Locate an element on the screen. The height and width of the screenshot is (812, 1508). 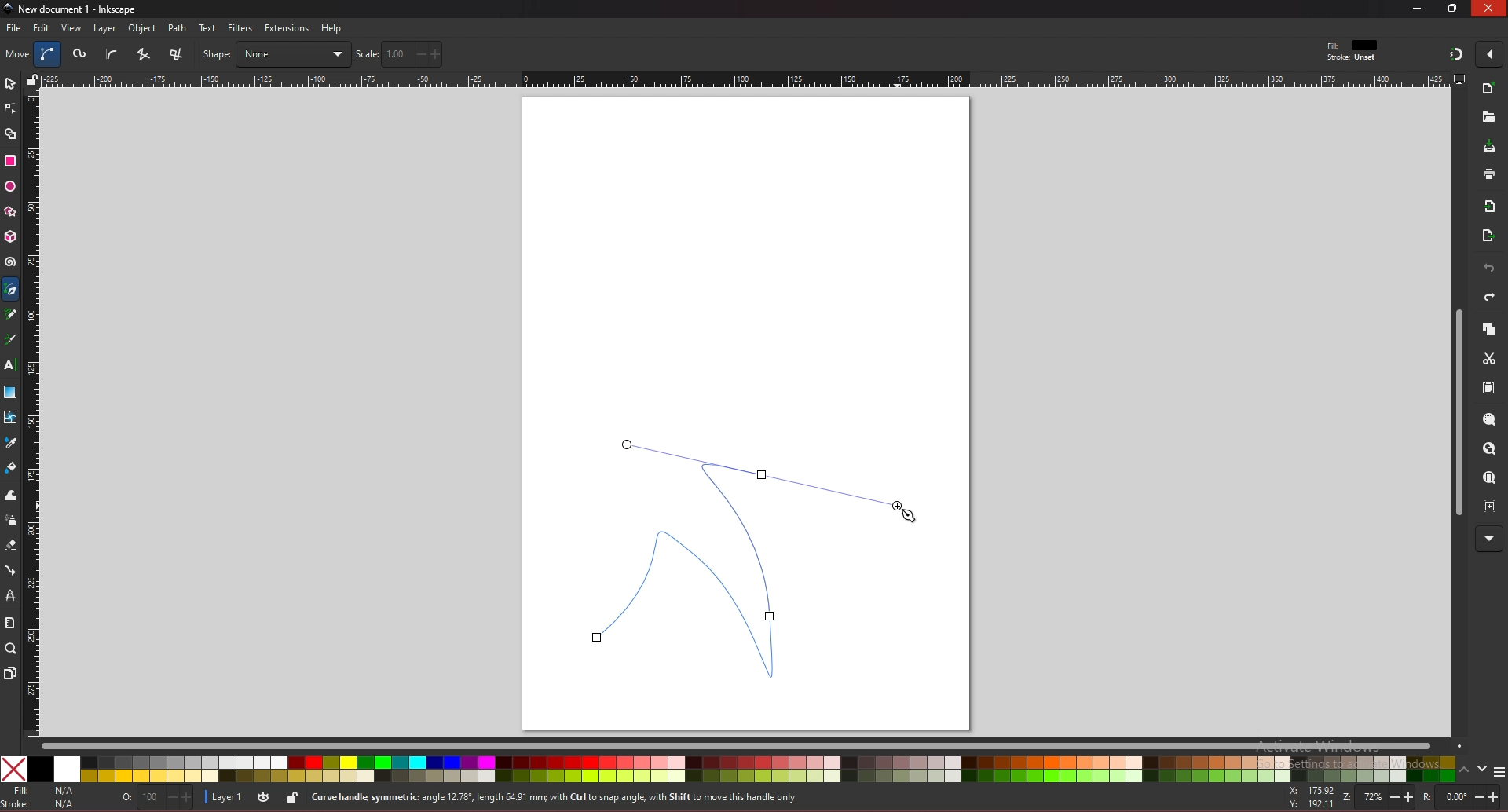
edit is located at coordinates (42, 27).